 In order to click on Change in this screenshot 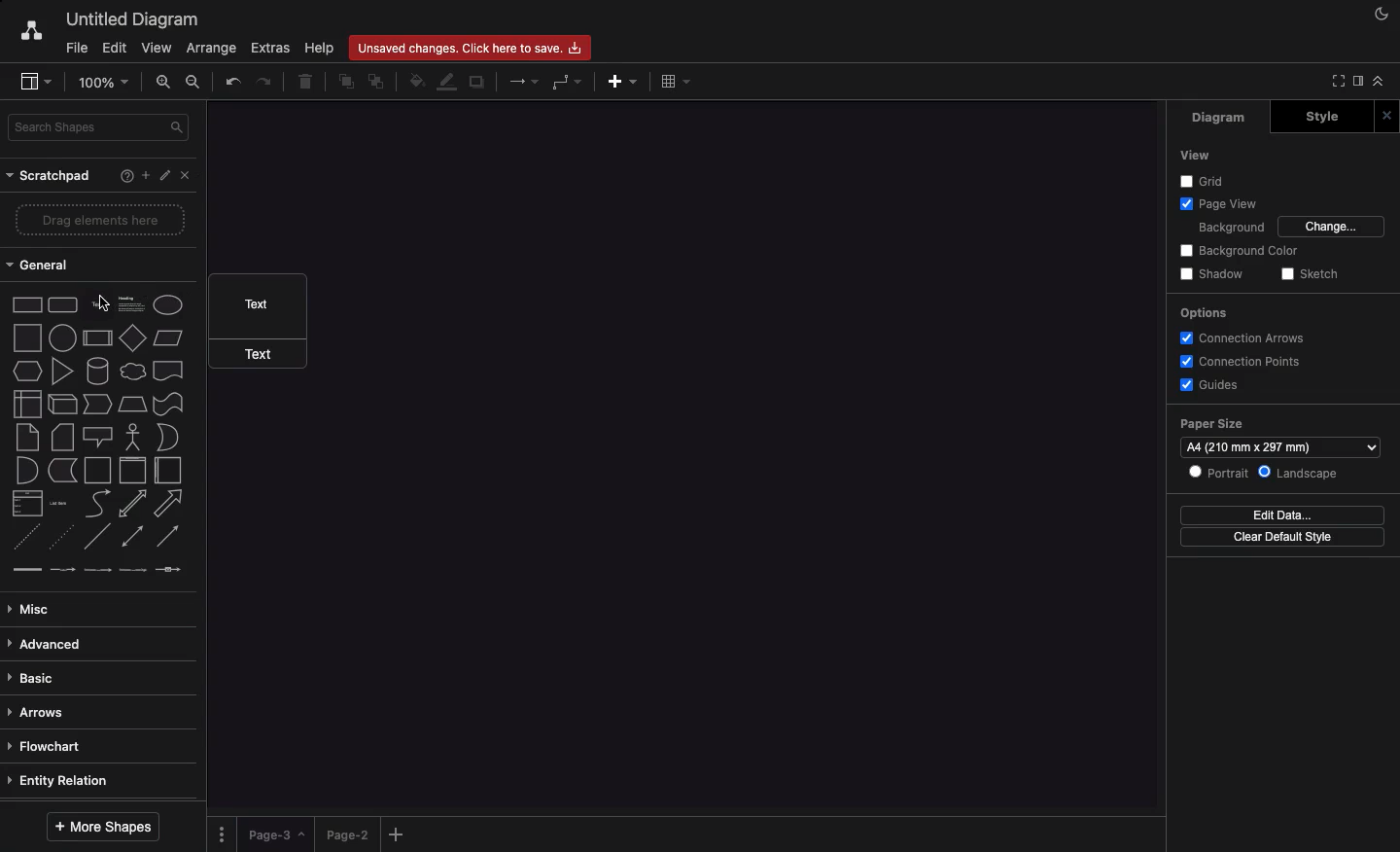, I will do `click(1333, 227)`.